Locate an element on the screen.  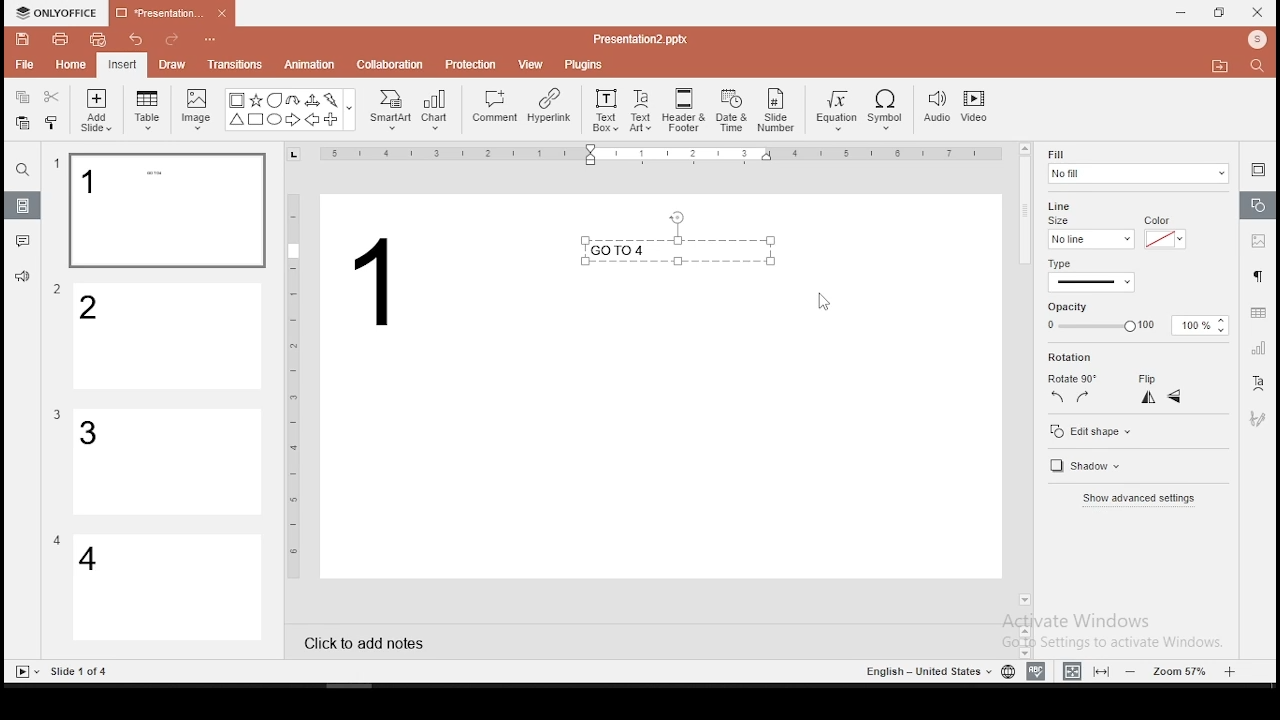
 is located at coordinates (81, 672).